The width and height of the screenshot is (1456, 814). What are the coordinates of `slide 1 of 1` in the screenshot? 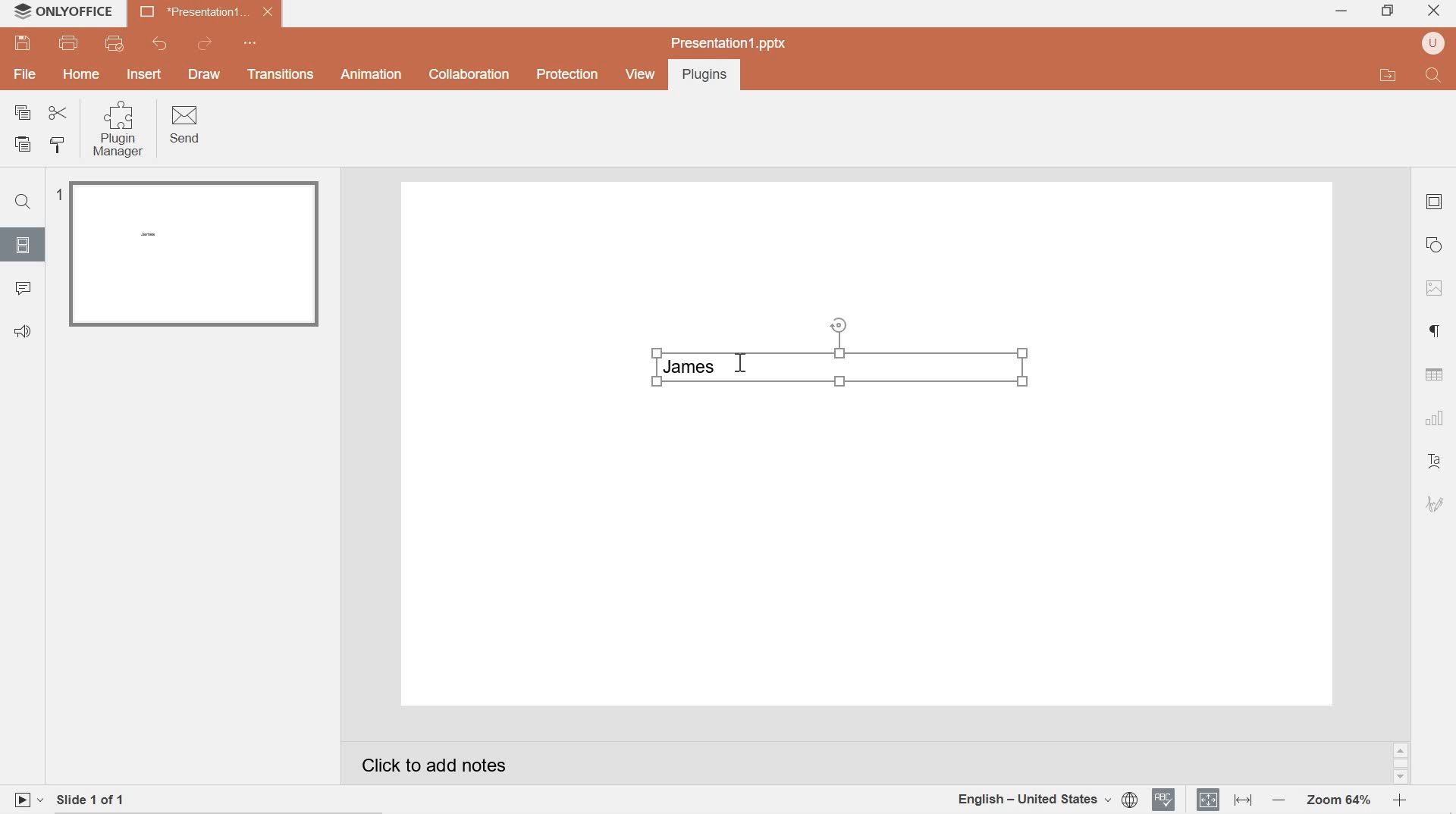 It's located at (104, 797).